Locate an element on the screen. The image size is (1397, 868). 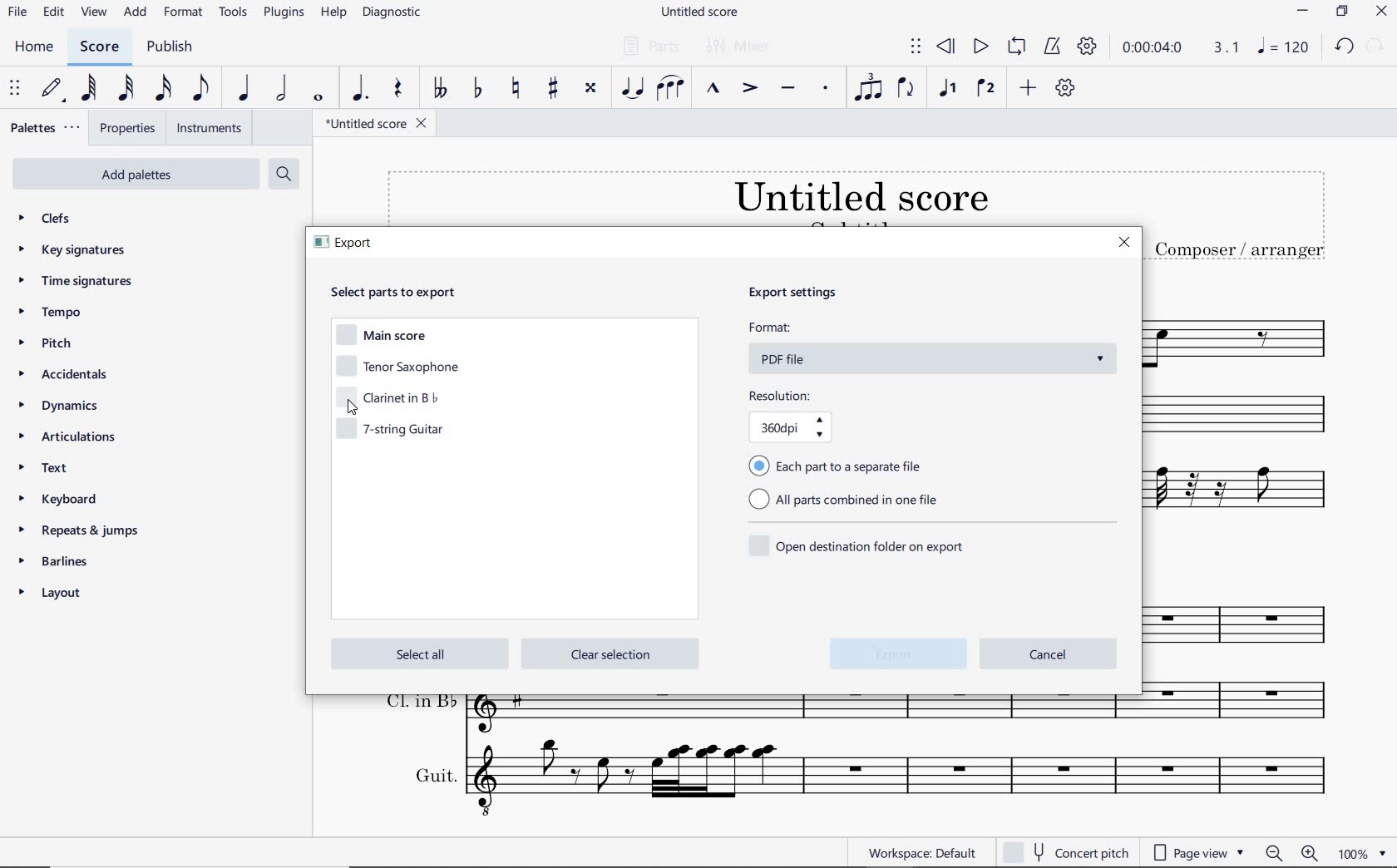
NOTE is located at coordinates (1283, 46).